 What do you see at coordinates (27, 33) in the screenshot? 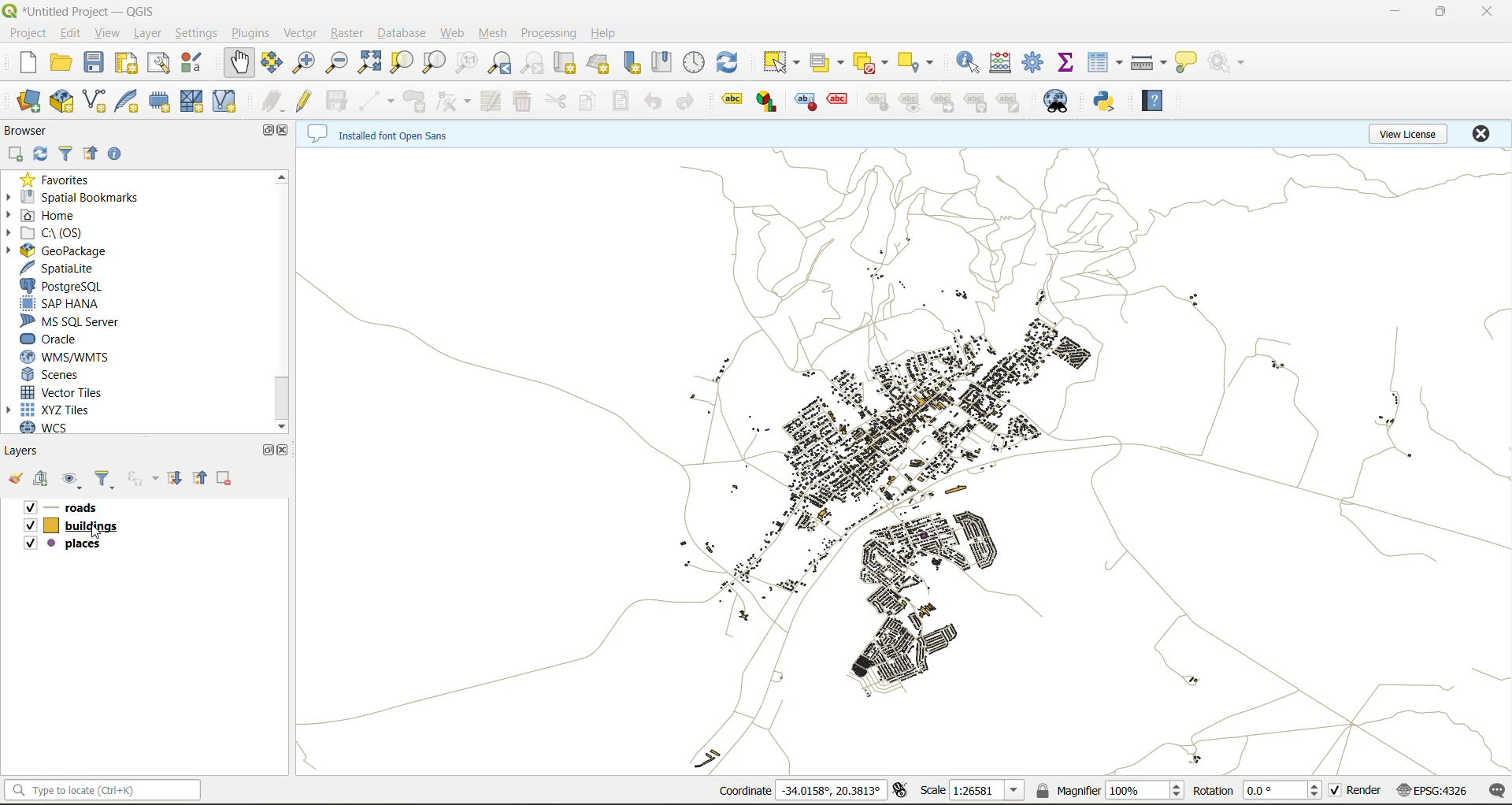
I see `project` at bounding box center [27, 33].